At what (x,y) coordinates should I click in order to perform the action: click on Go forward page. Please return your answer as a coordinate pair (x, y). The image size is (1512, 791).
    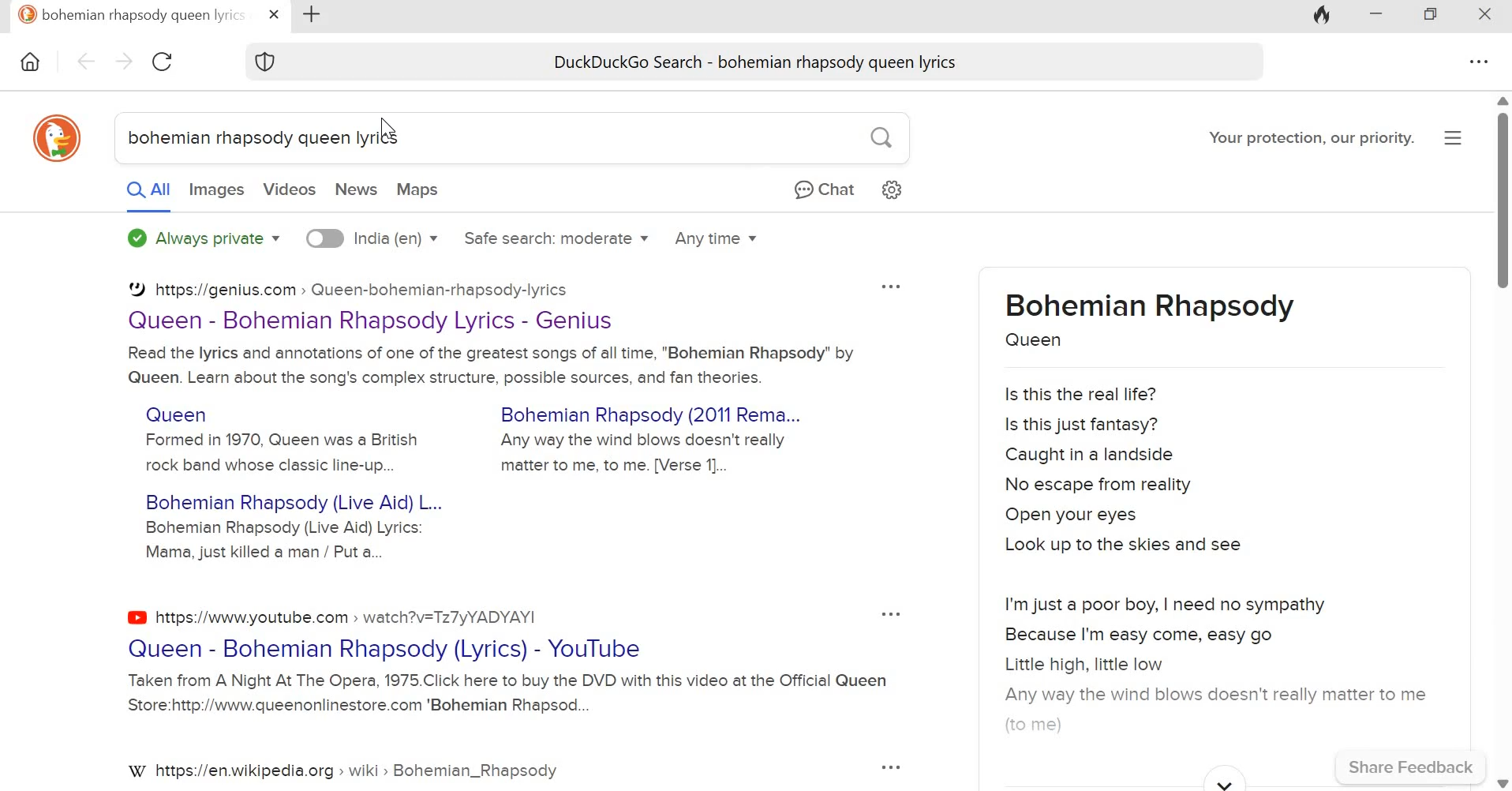
    Looking at the image, I should click on (124, 60).